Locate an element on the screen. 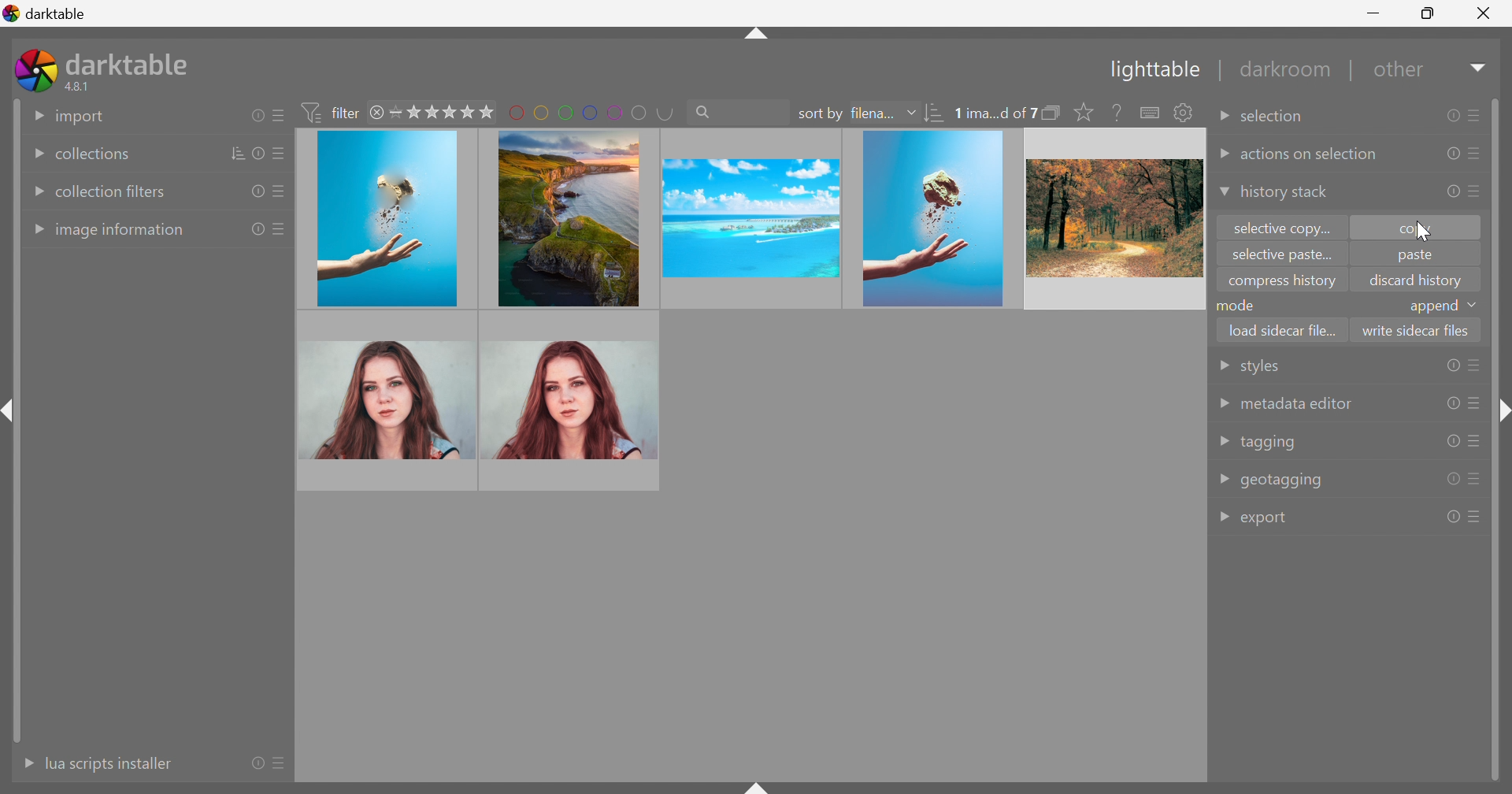 This screenshot has width=1512, height=794. compress history is located at coordinates (1282, 283).